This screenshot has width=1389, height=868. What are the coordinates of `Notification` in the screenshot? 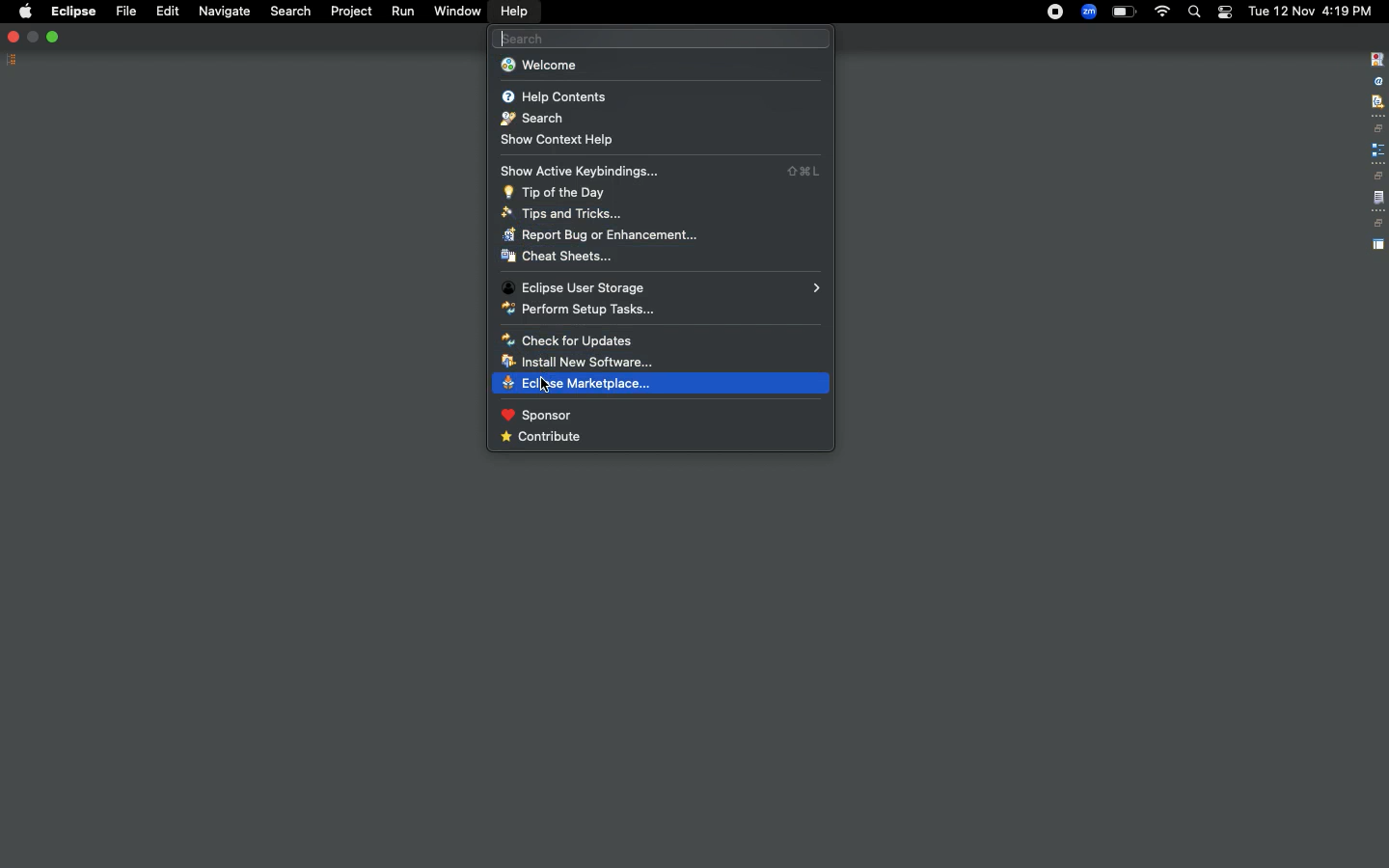 It's located at (1224, 13).